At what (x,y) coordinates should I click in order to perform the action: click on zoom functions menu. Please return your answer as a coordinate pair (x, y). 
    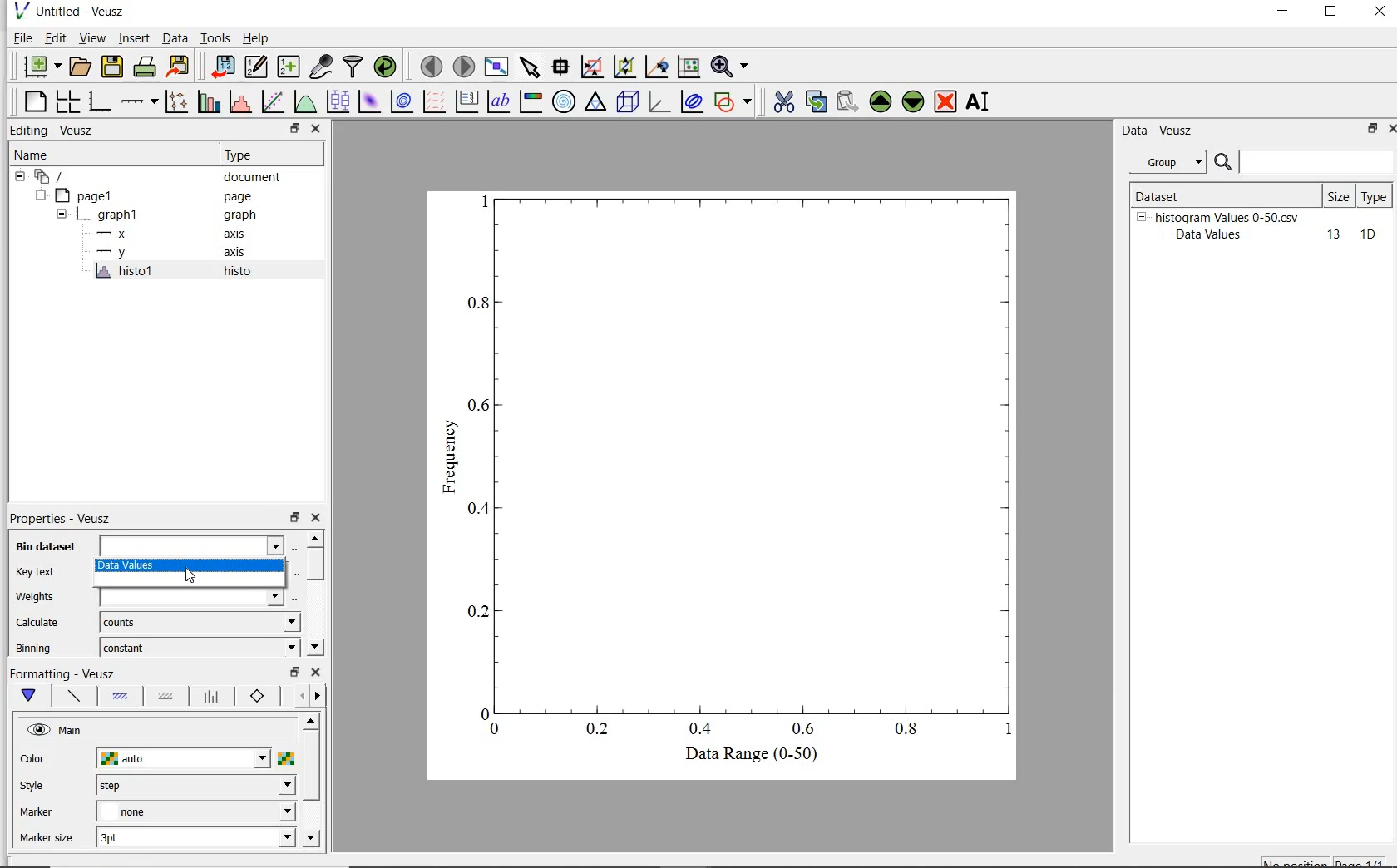
    Looking at the image, I should click on (730, 67).